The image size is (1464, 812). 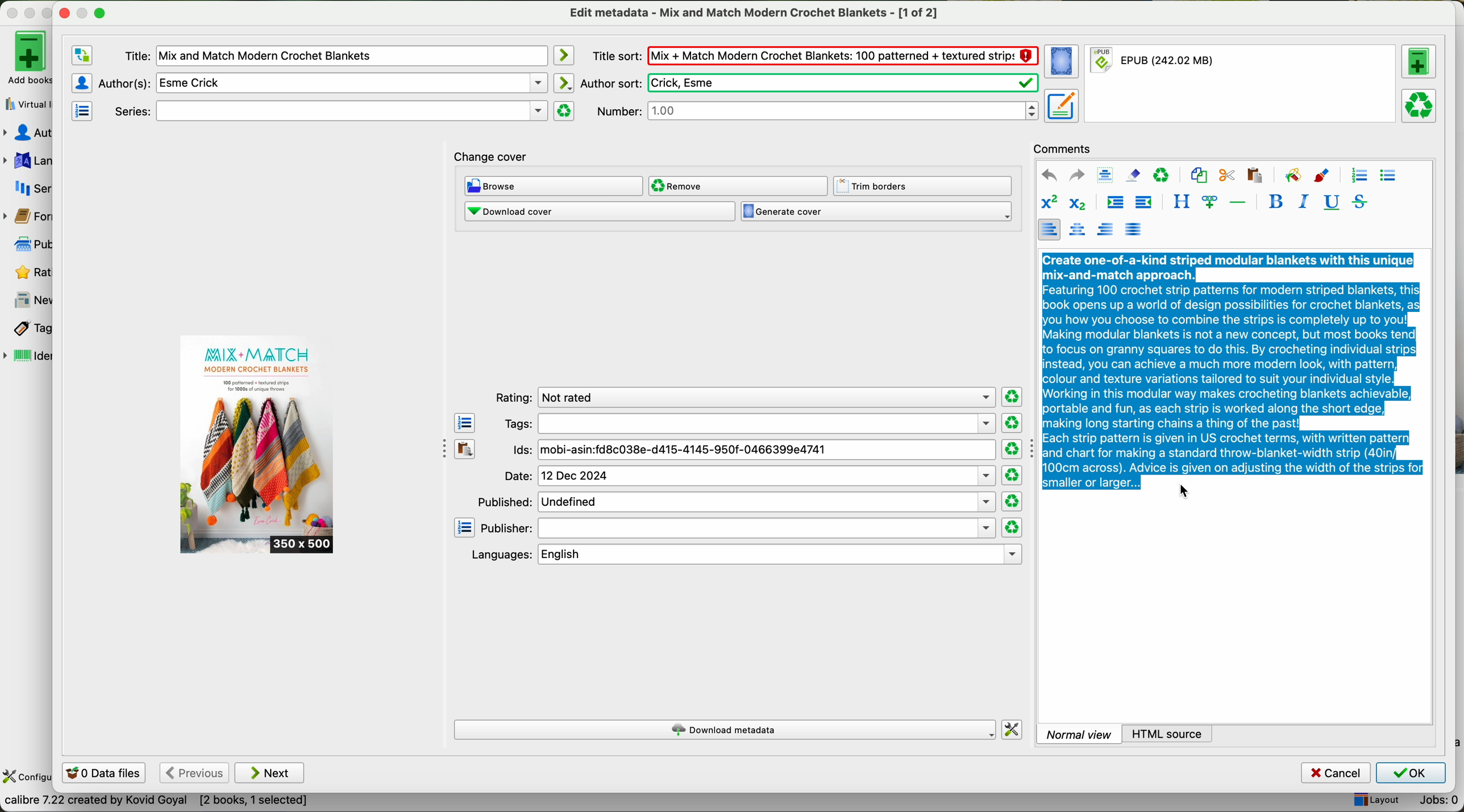 I want to click on decrease indentation, so click(x=1142, y=203).